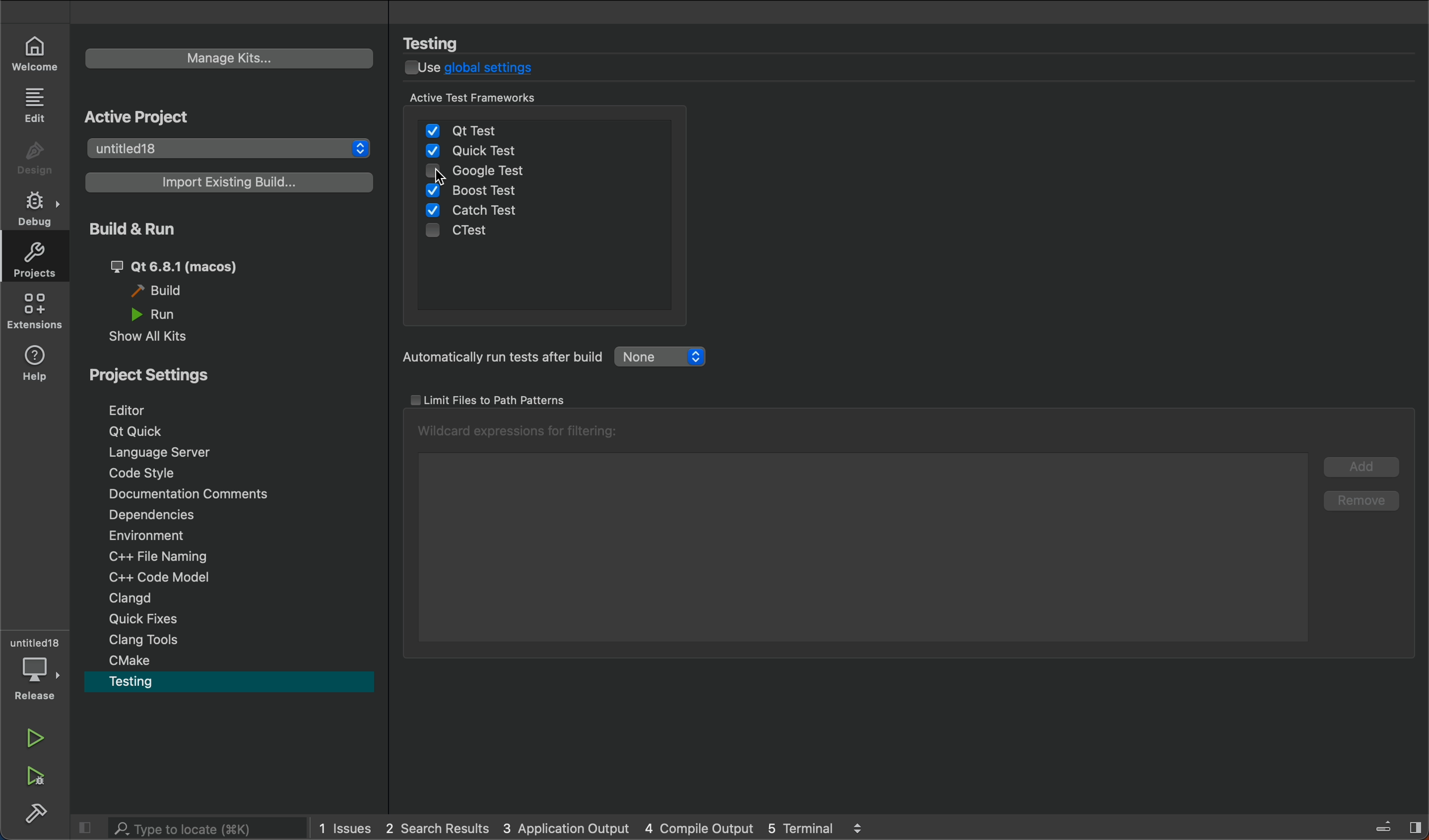 Image resolution: width=1429 pixels, height=840 pixels. Describe the element at coordinates (230, 183) in the screenshot. I see `import build` at that location.